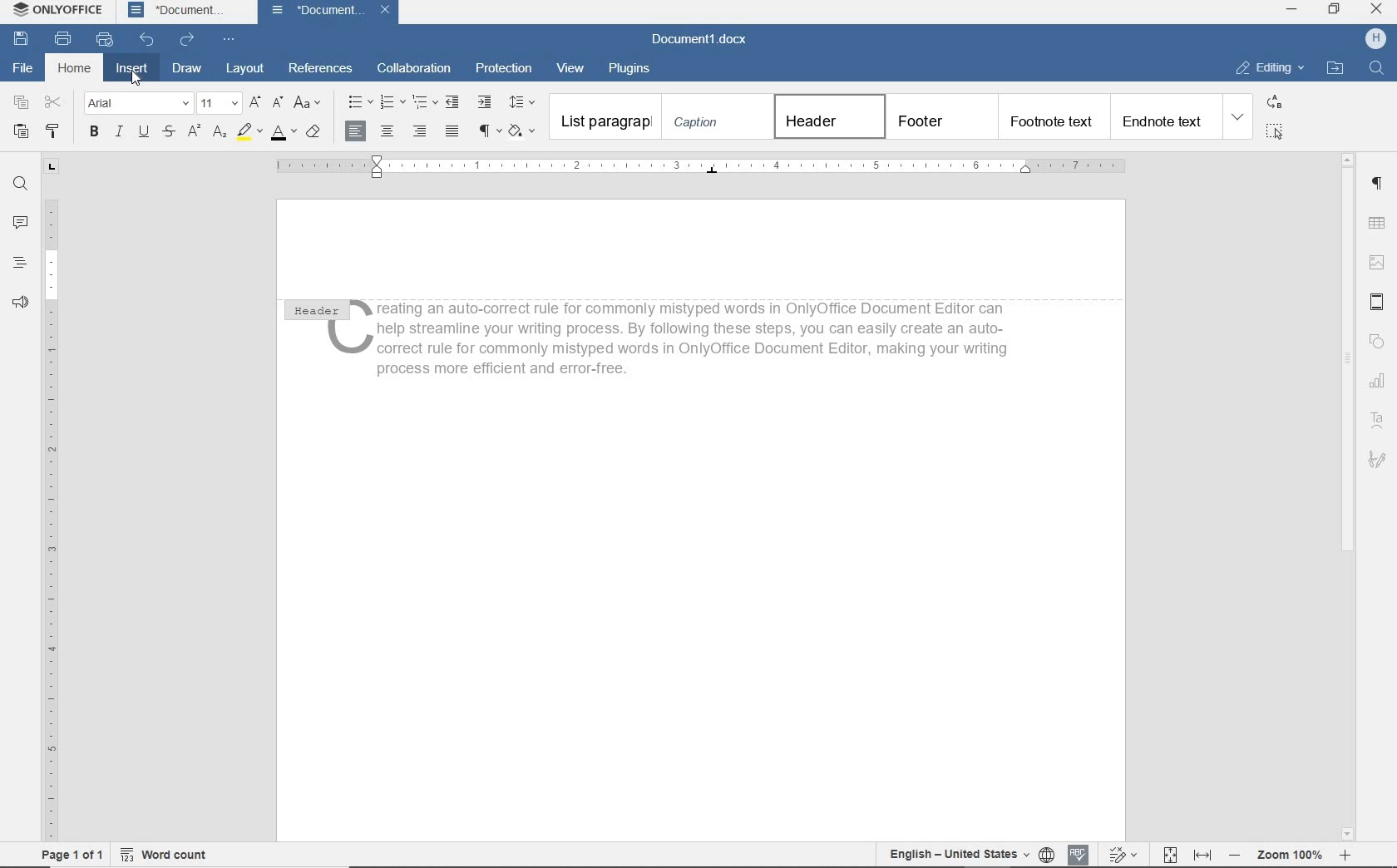  What do you see at coordinates (187, 69) in the screenshot?
I see `DRAW` at bounding box center [187, 69].